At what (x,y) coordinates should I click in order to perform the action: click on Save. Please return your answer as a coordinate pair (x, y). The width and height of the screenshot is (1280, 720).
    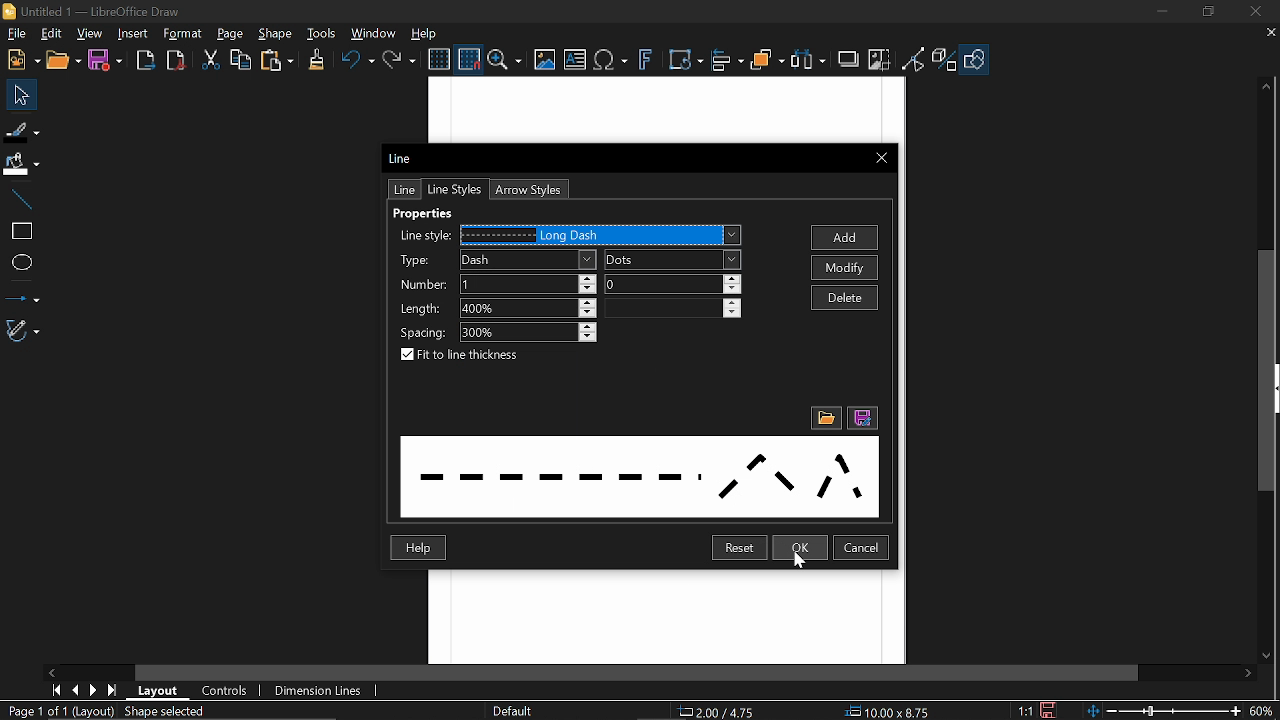
    Looking at the image, I should click on (1049, 710).